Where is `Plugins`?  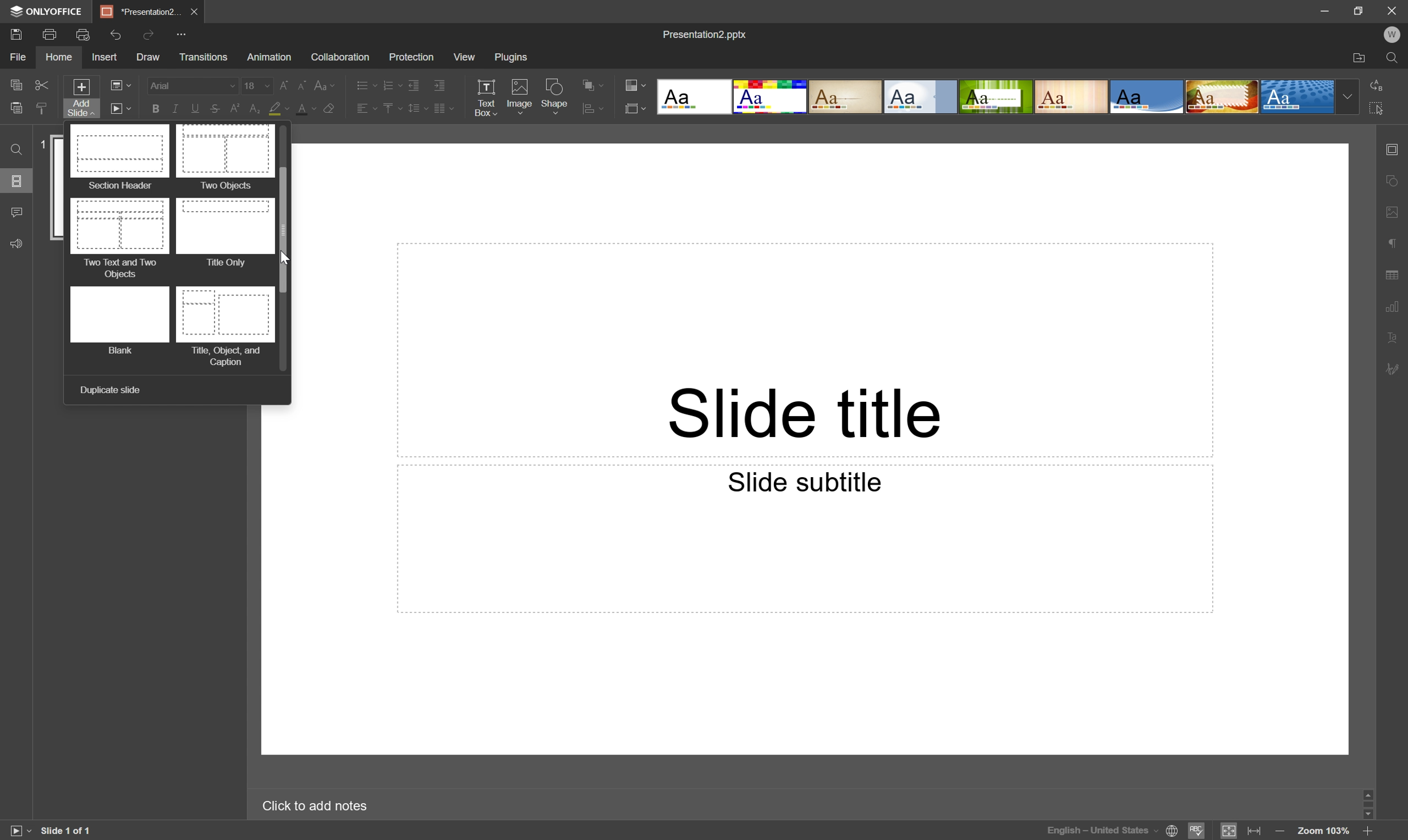 Plugins is located at coordinates (512, 57).